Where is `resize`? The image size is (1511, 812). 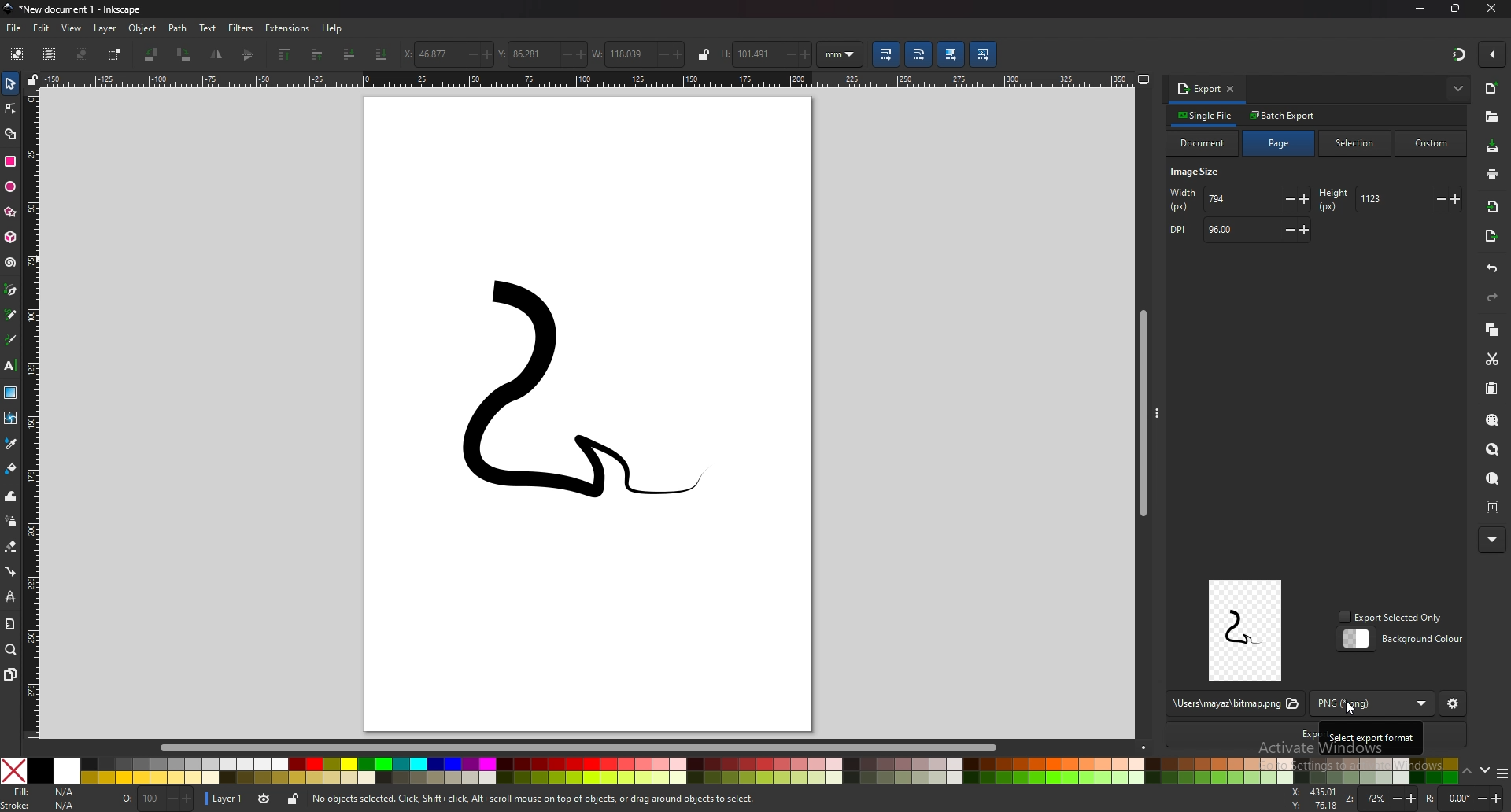 resize is located at coordinates (1456, 9).